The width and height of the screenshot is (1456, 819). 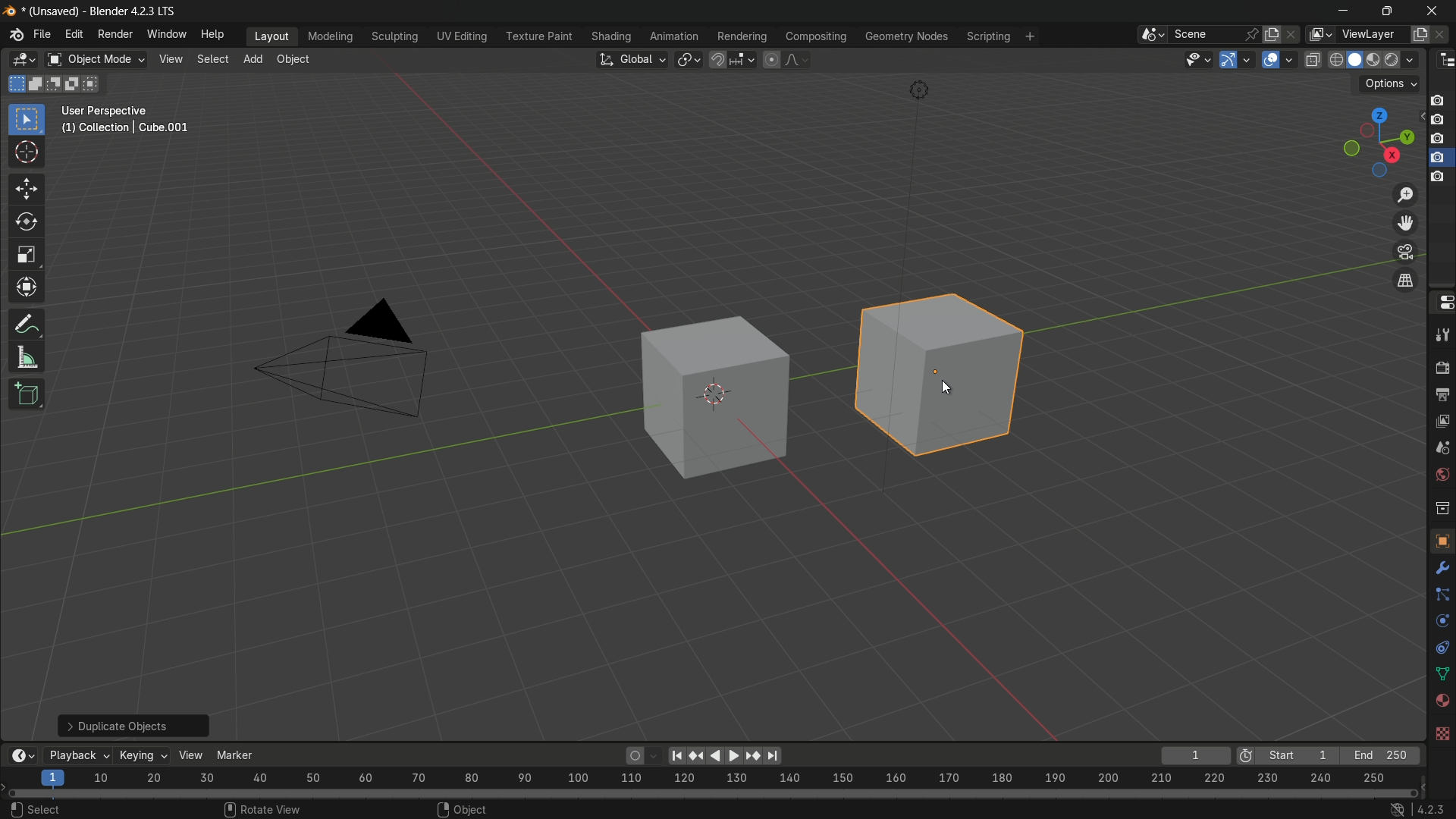 What do you see at coordinates (1442, 335) in the screenshot?
I see `tools` at bounding box center [1442, 335].